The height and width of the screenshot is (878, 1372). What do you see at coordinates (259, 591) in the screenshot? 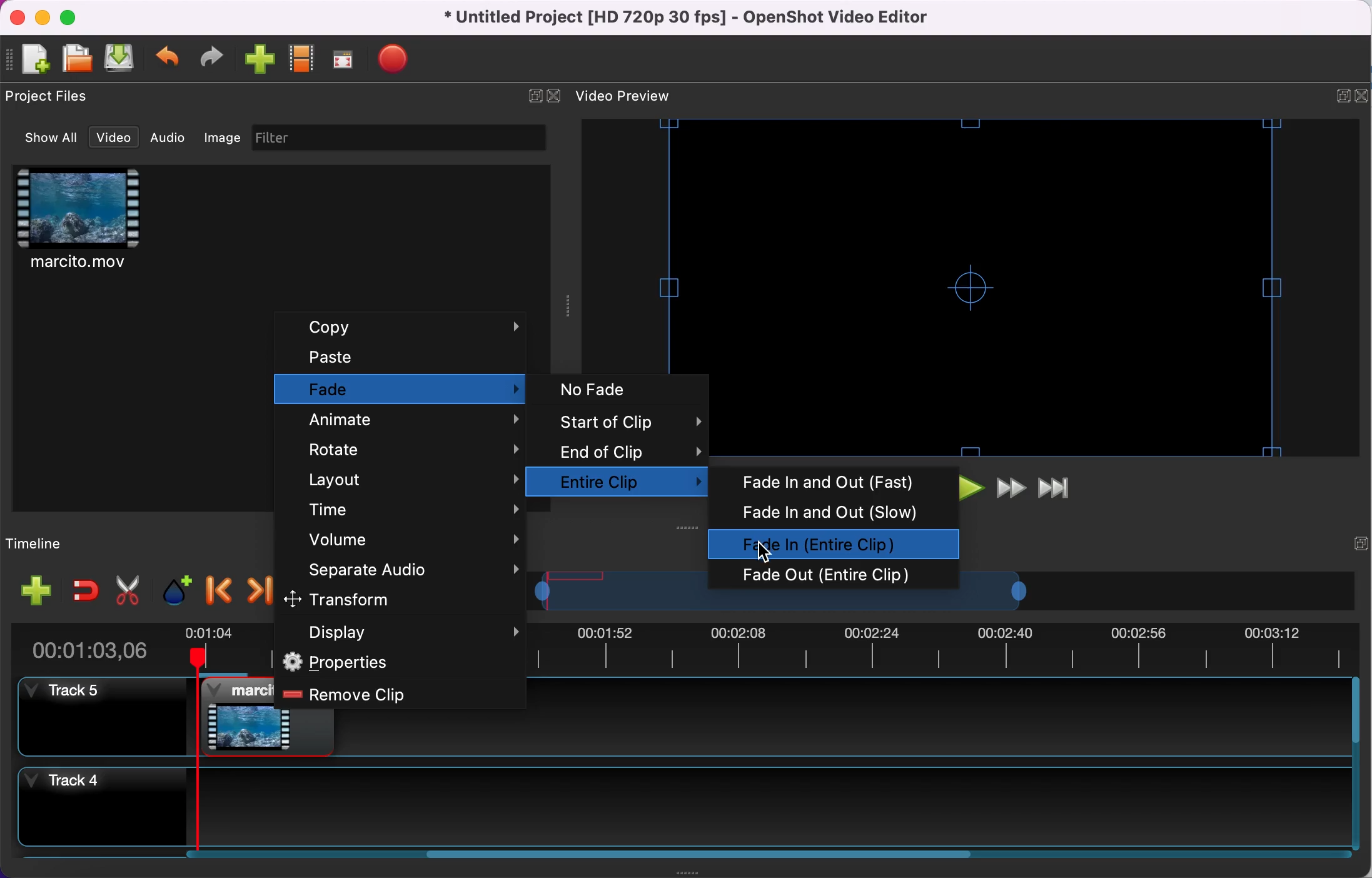
I see `next marker` at bounding box center [259, 591].